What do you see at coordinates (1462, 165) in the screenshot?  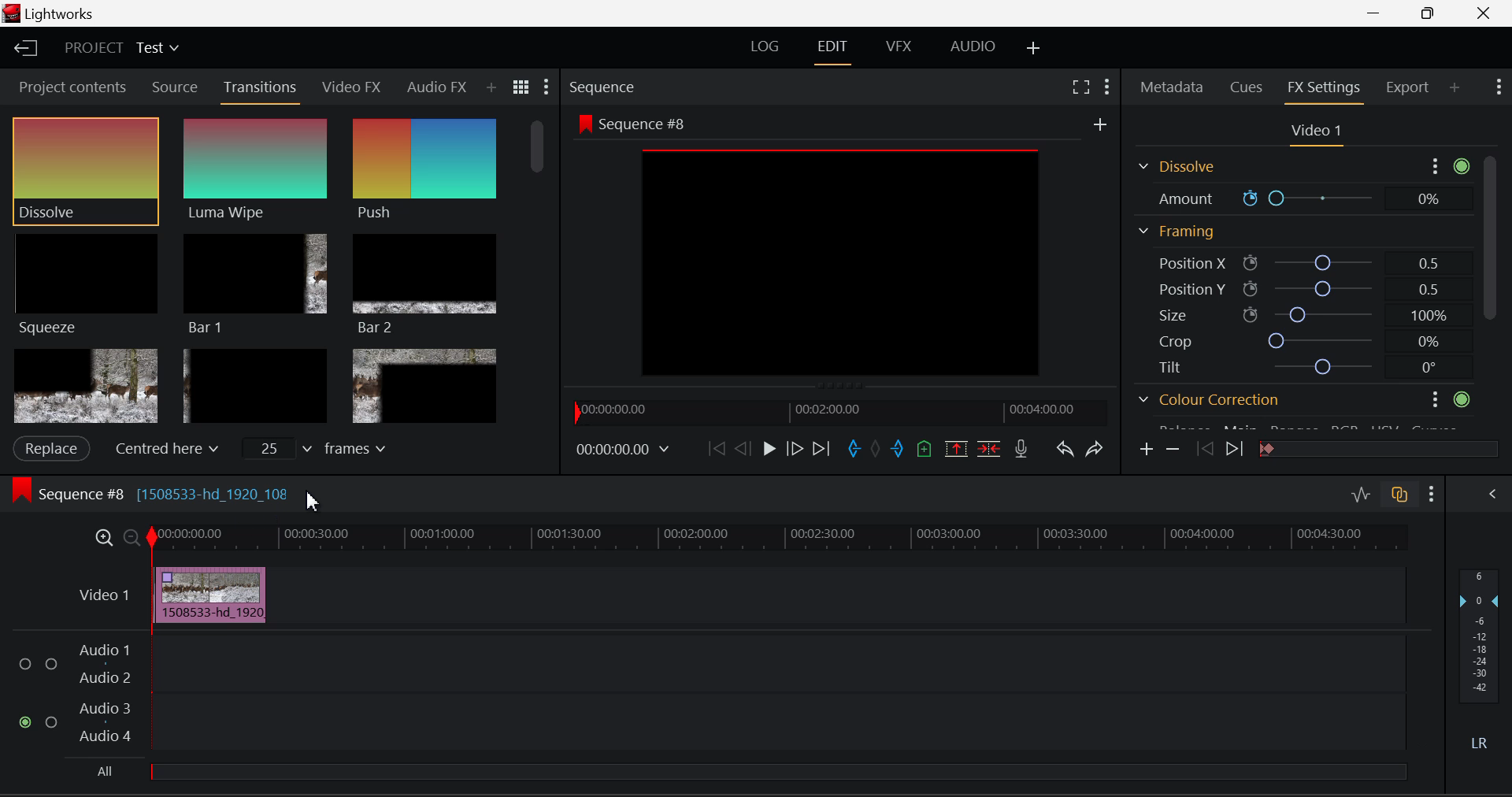 I see `active` at bounding box center [1462, 165].